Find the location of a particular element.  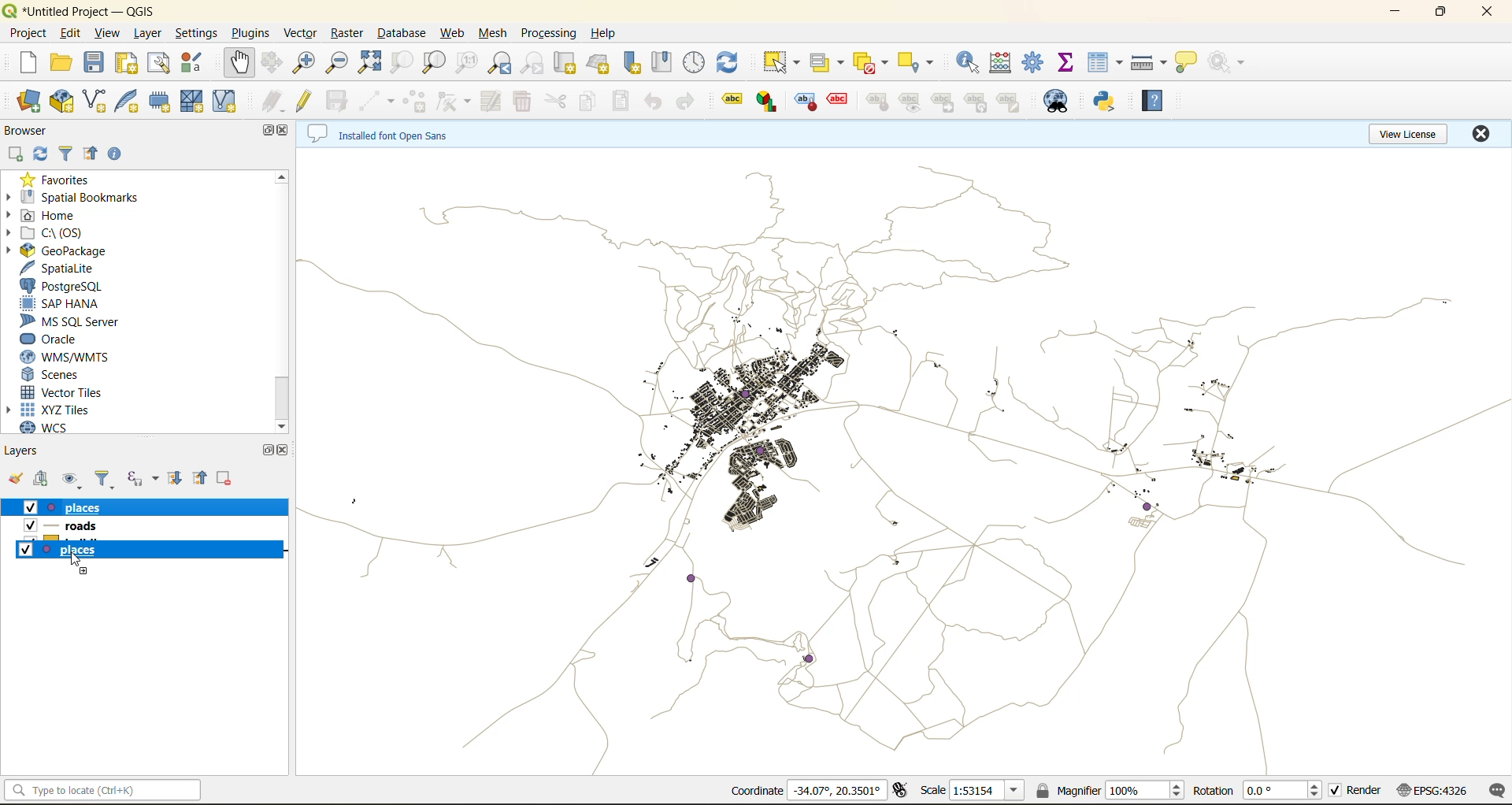

copy is located at coordinates (594, 101).